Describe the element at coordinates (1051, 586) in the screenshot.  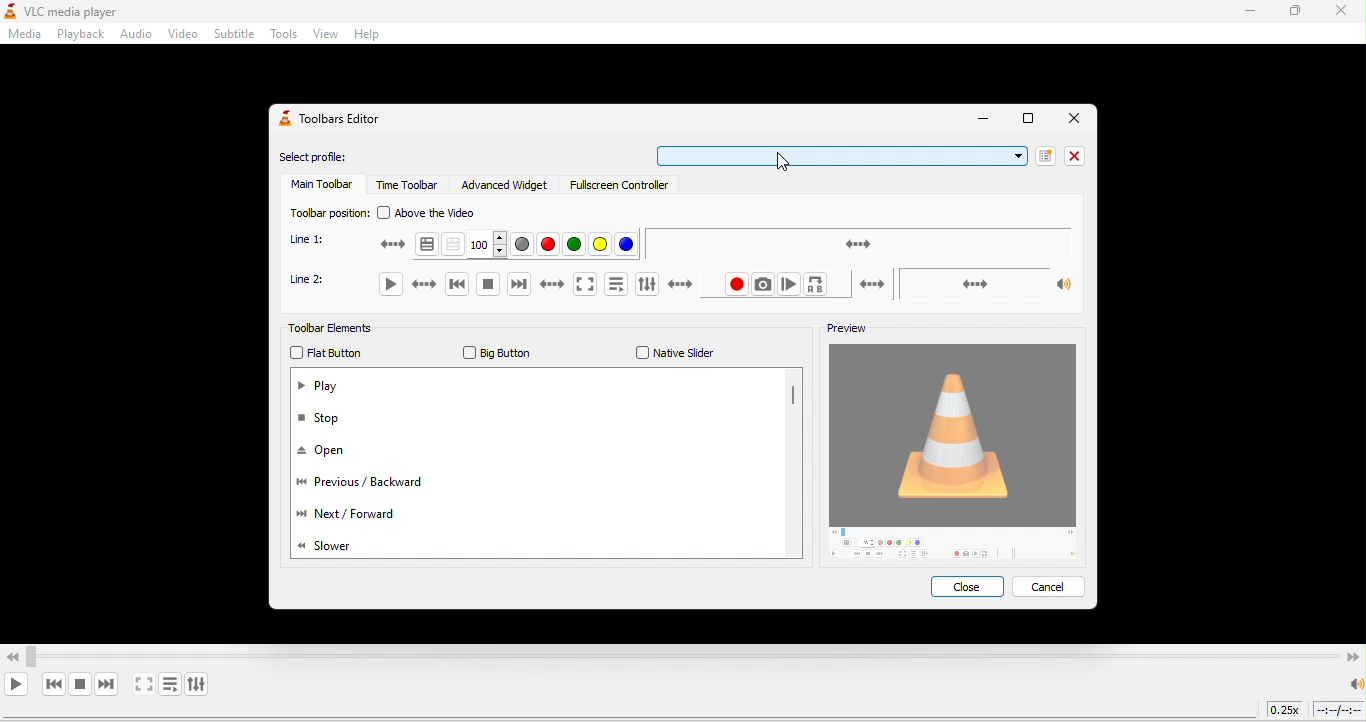
I see `cancel` at that location.